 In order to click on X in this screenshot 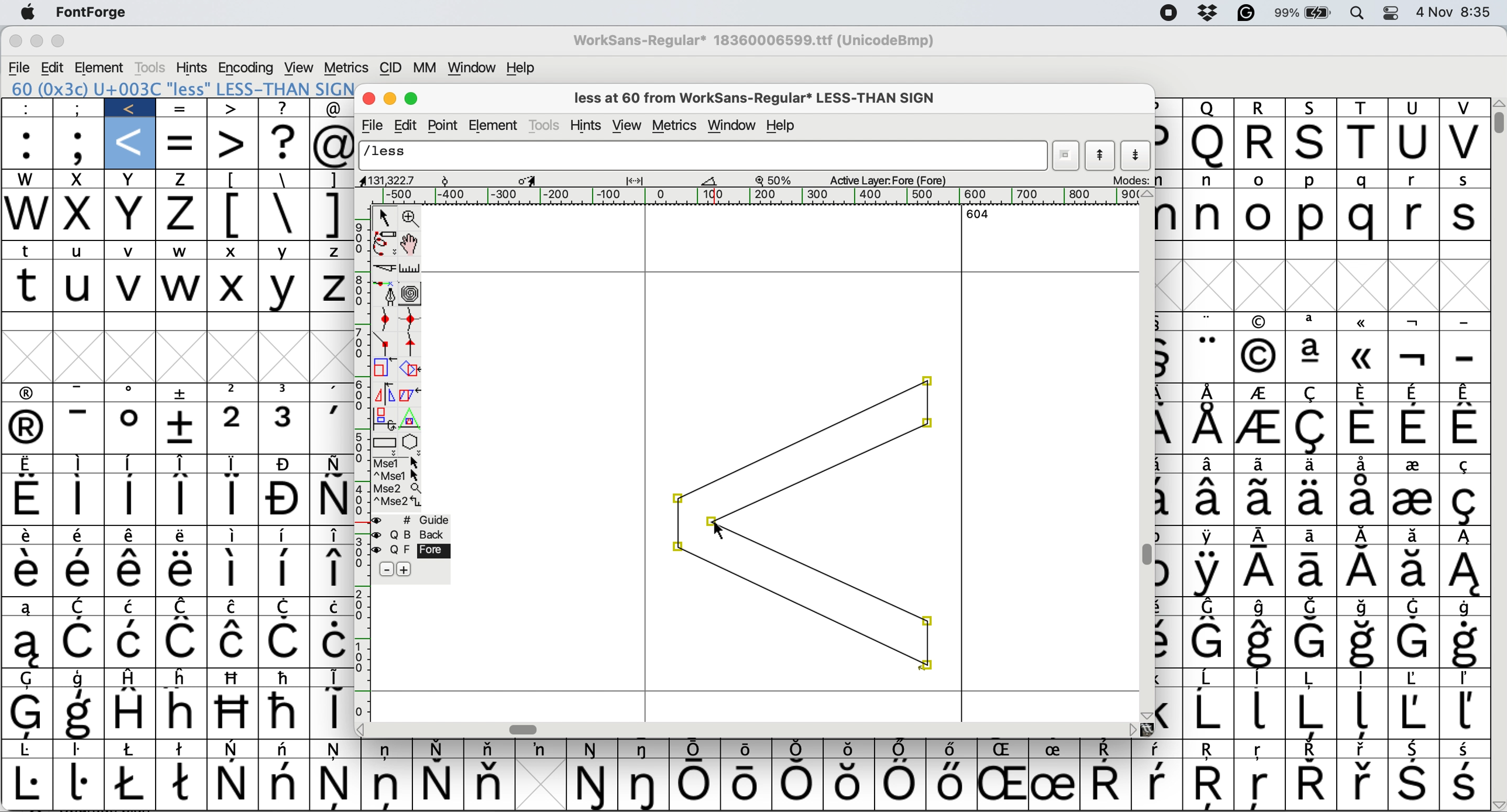, I will do `click(232, 287)`.